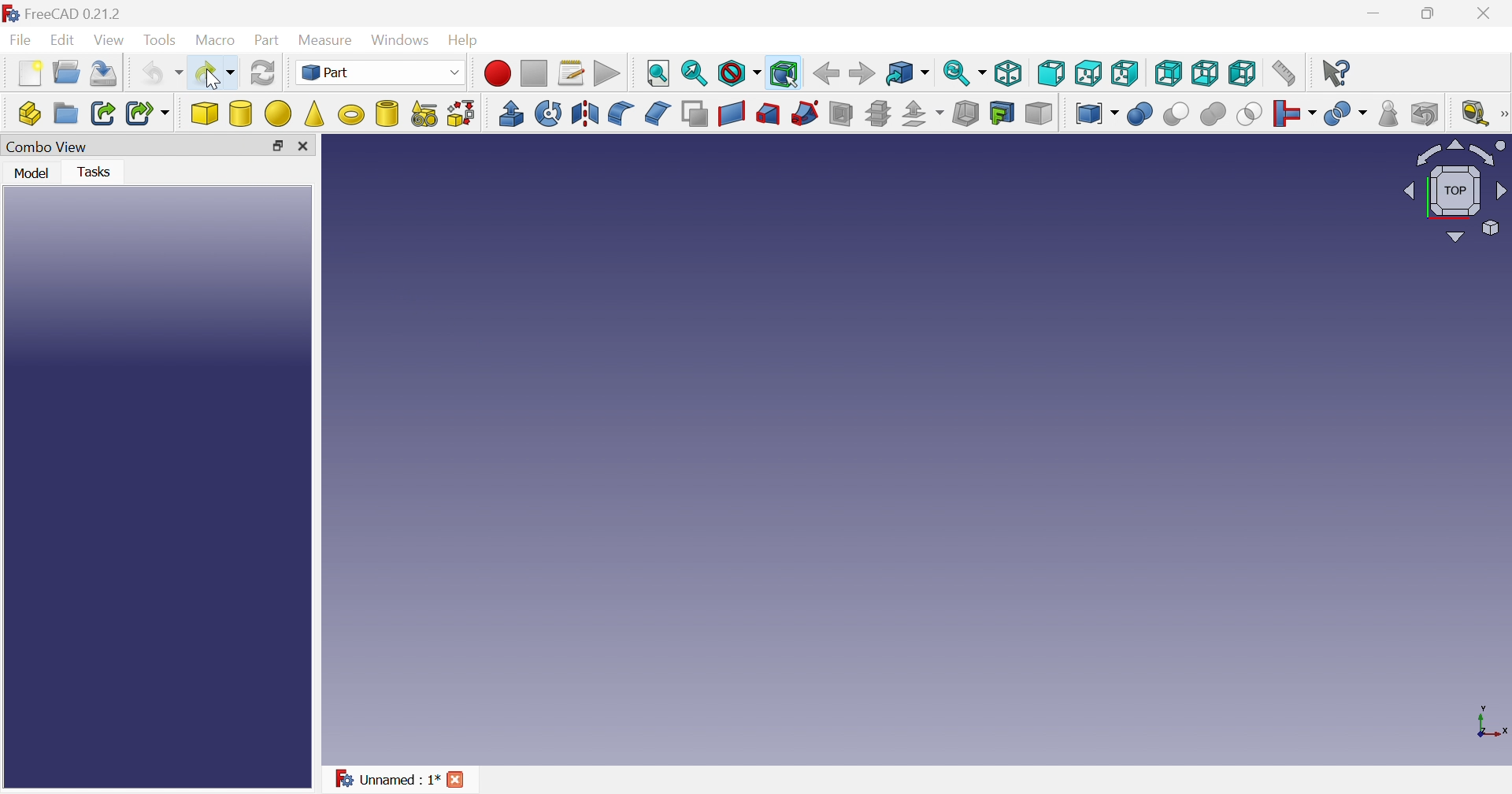 Image resolution: width=1512 pixels, height=794 pixels. I want to click on Isometric, so click(1009, 74).